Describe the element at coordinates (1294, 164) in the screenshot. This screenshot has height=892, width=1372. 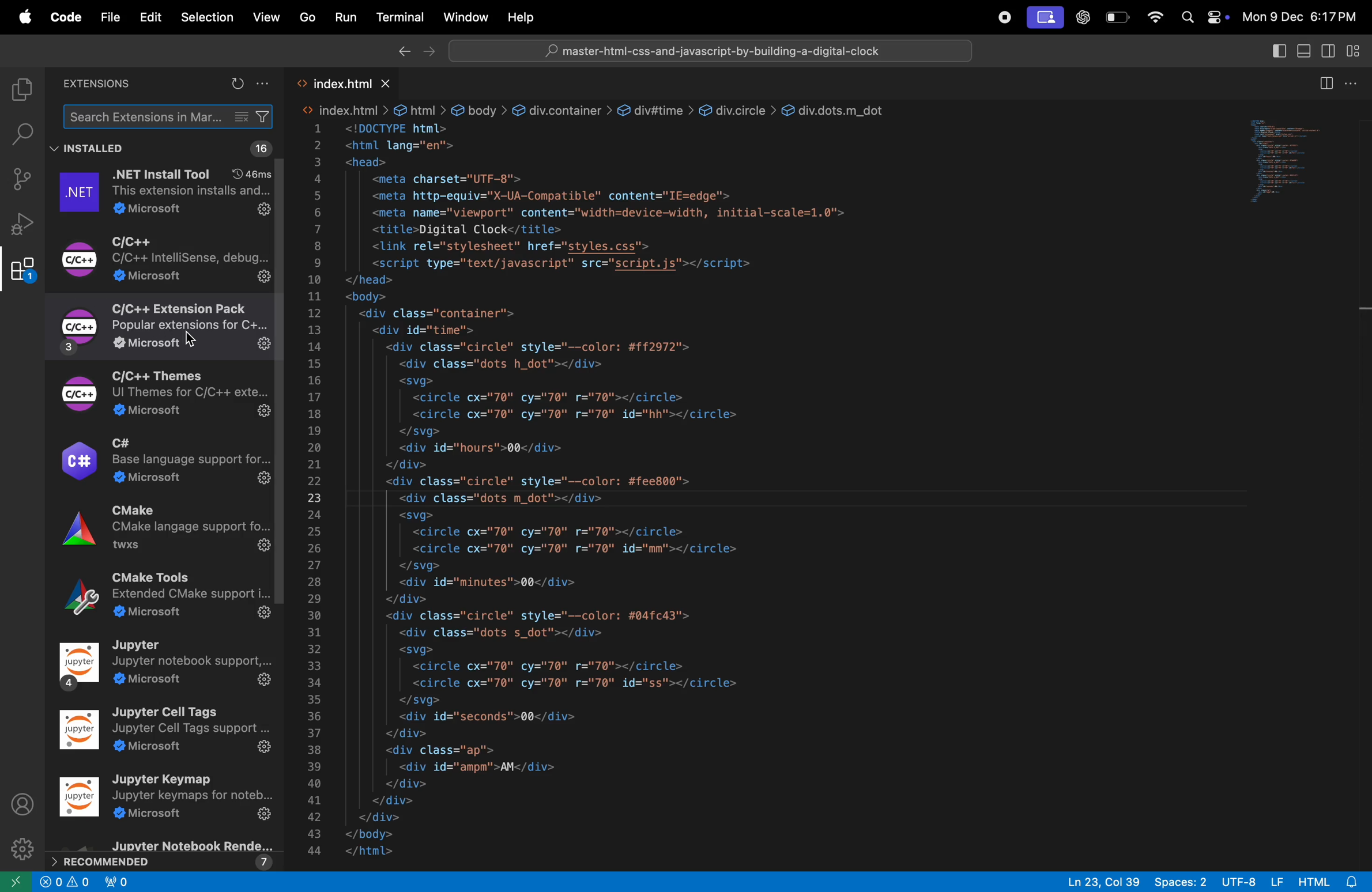
I see `code block` at that location.